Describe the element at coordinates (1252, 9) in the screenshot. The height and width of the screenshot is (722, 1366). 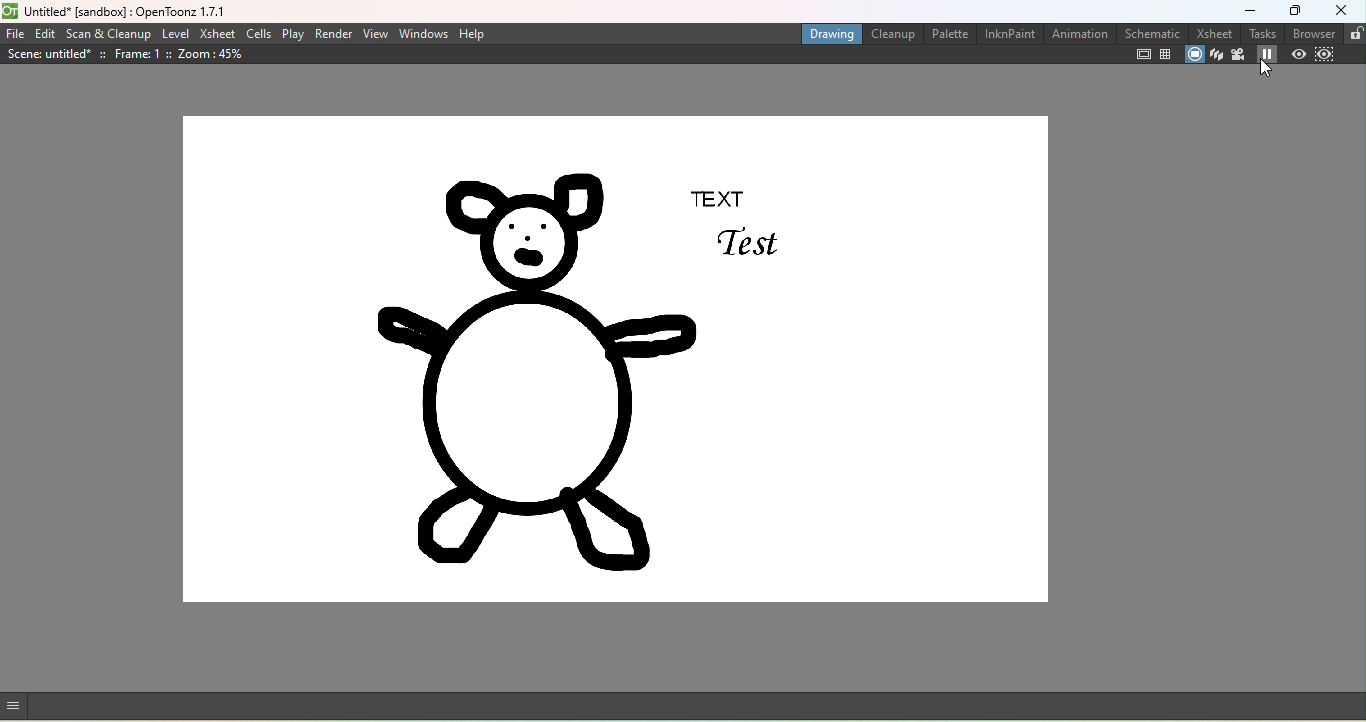
I see `Minimize` at that location.